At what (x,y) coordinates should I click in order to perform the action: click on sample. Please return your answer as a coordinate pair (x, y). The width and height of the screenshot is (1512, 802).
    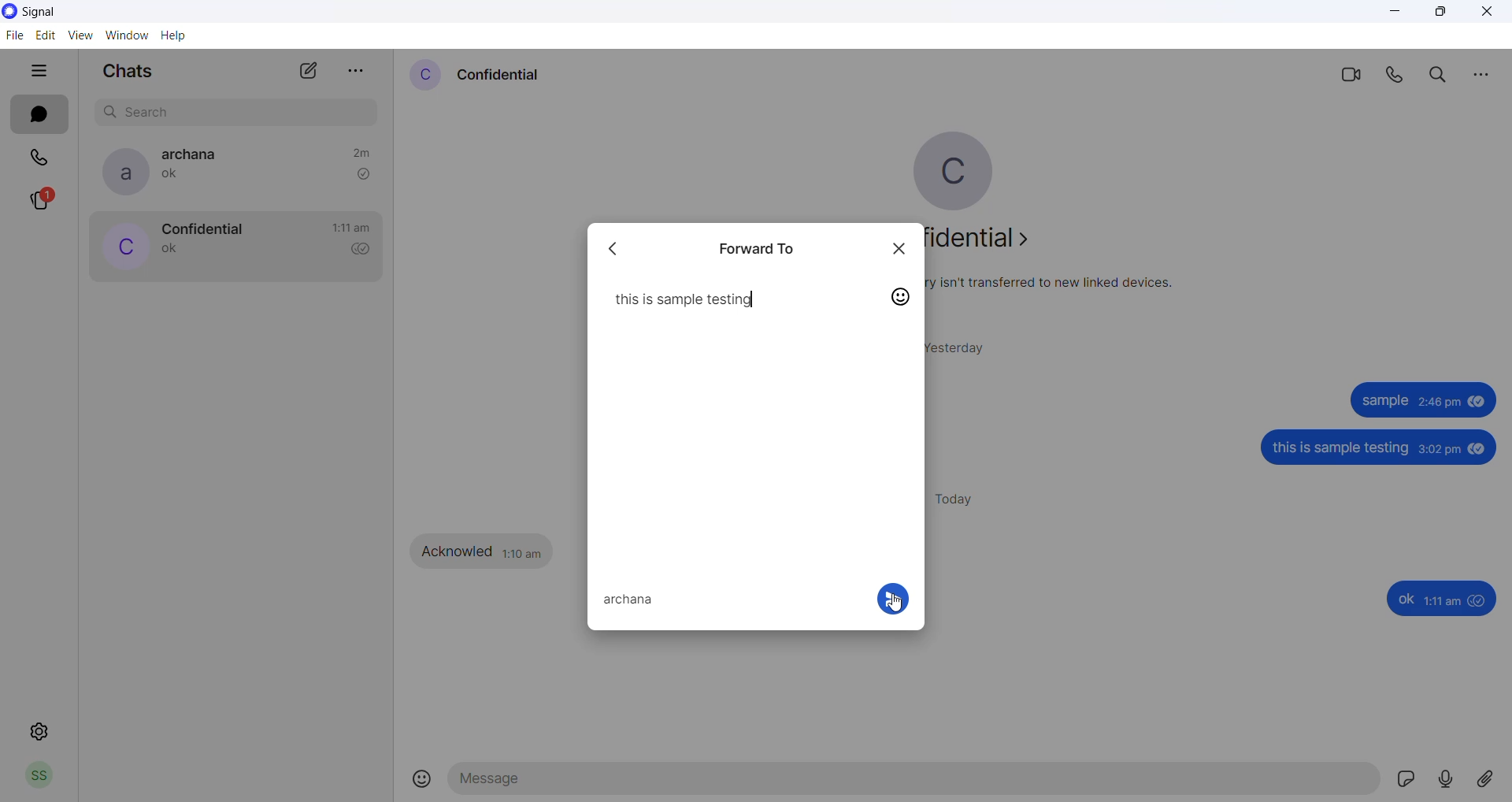
    Looking at the image, I should click on (1383, 402).